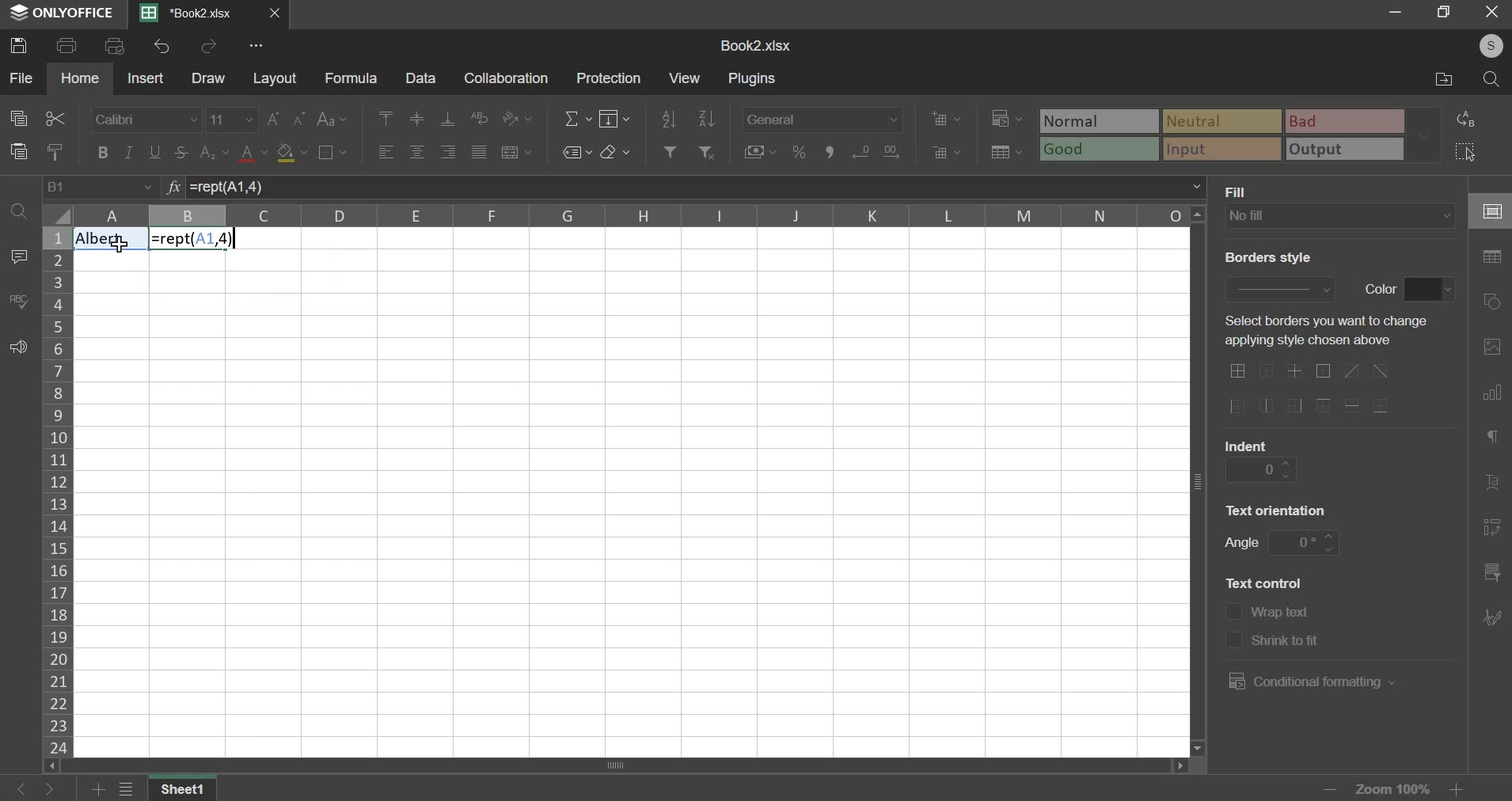 Image resolution: width=1512 pixels, height=801 pixels. I want to click on paste, so click(18, 150).